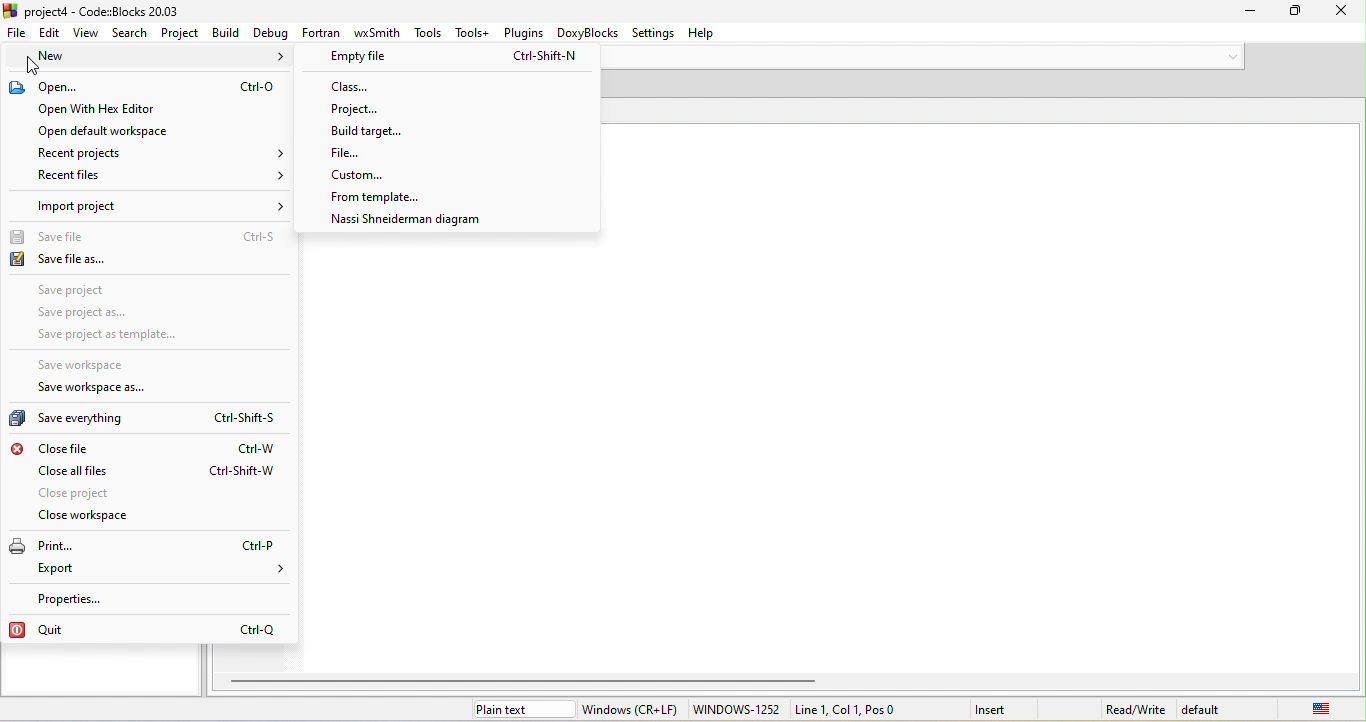  Describe the element at coordinates (434, 111) in the screenshot. I see `project` at that location.